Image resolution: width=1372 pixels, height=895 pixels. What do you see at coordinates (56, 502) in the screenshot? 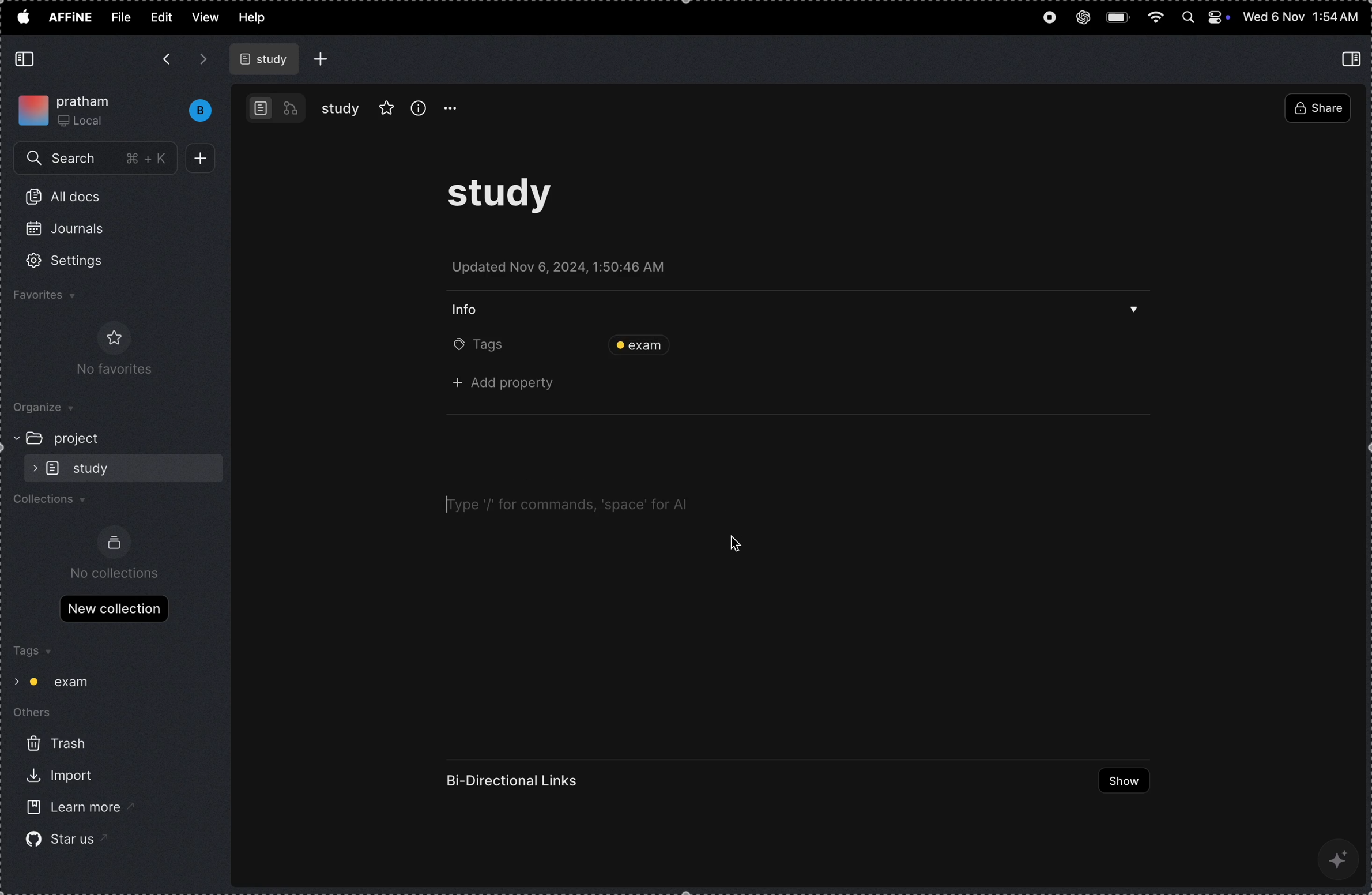
I see `collections` at bounding box center [56, 502].